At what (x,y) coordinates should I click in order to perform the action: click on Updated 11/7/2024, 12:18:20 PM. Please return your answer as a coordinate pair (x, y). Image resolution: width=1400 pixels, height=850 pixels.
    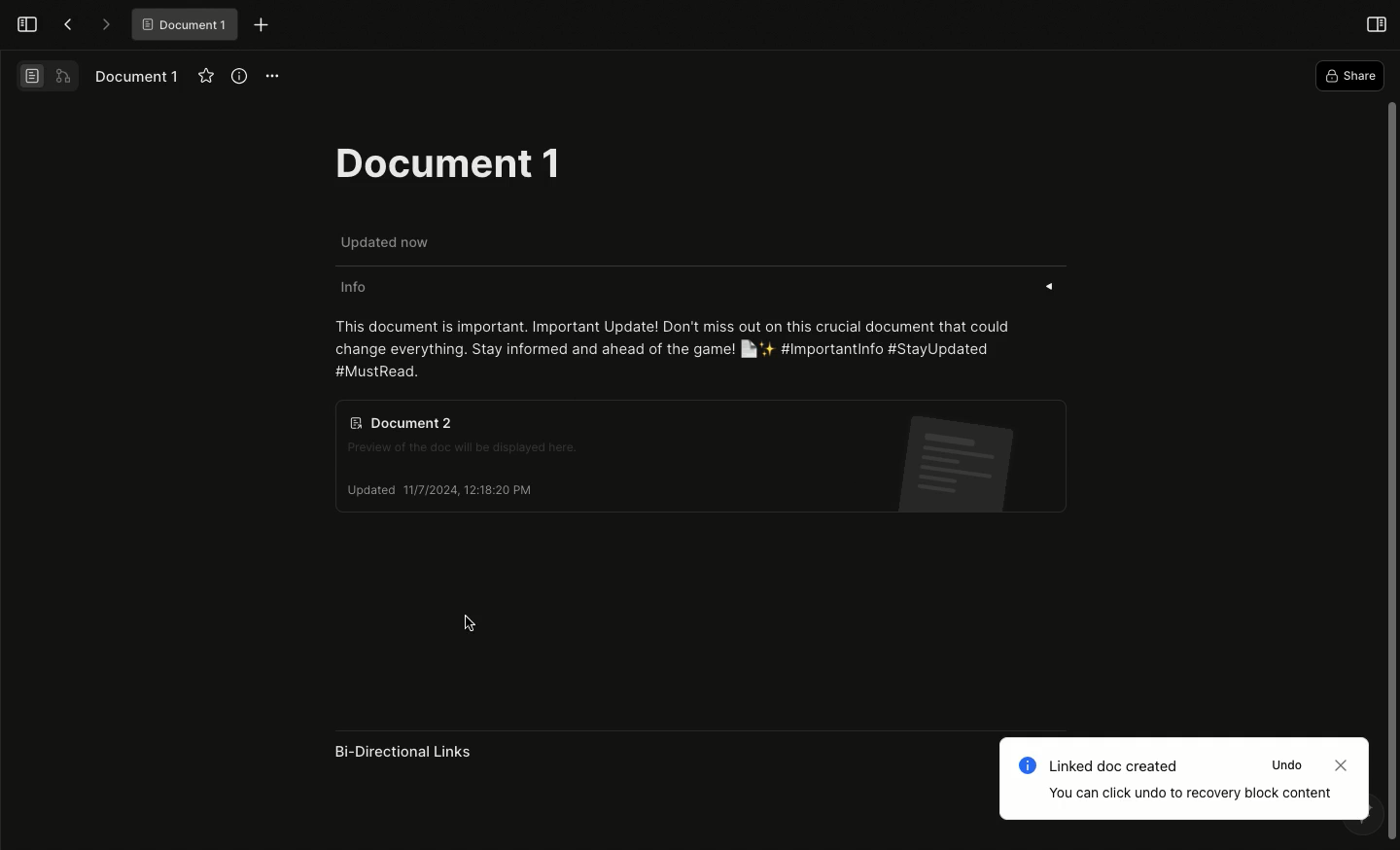
    Looking at the image, I should click on (436, 489).